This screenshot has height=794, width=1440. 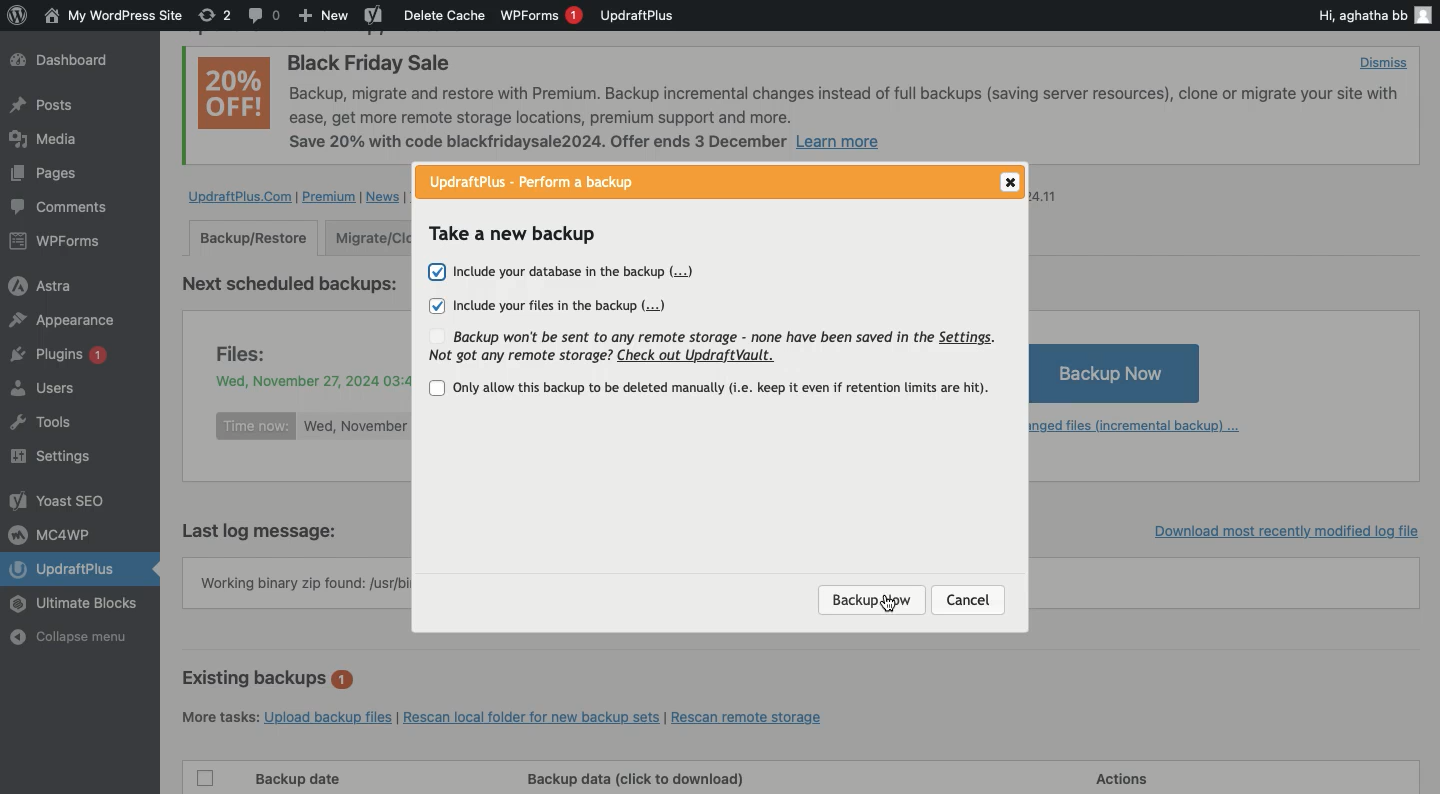 What do you see at coordinates (333, 197) in the screenshot?
I see `Premium ` at bounding box center [333, 197].